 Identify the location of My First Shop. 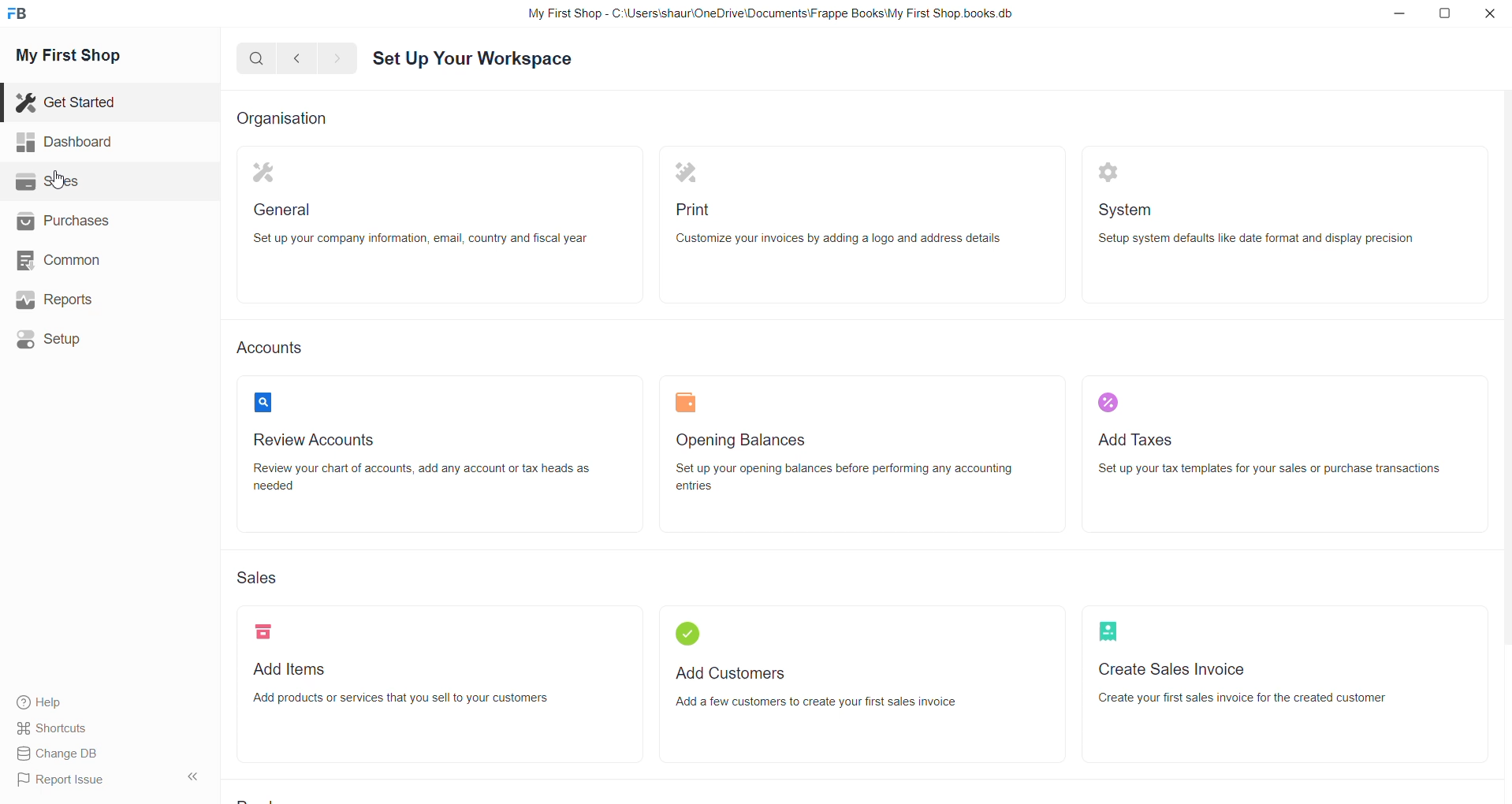
(87, 60).